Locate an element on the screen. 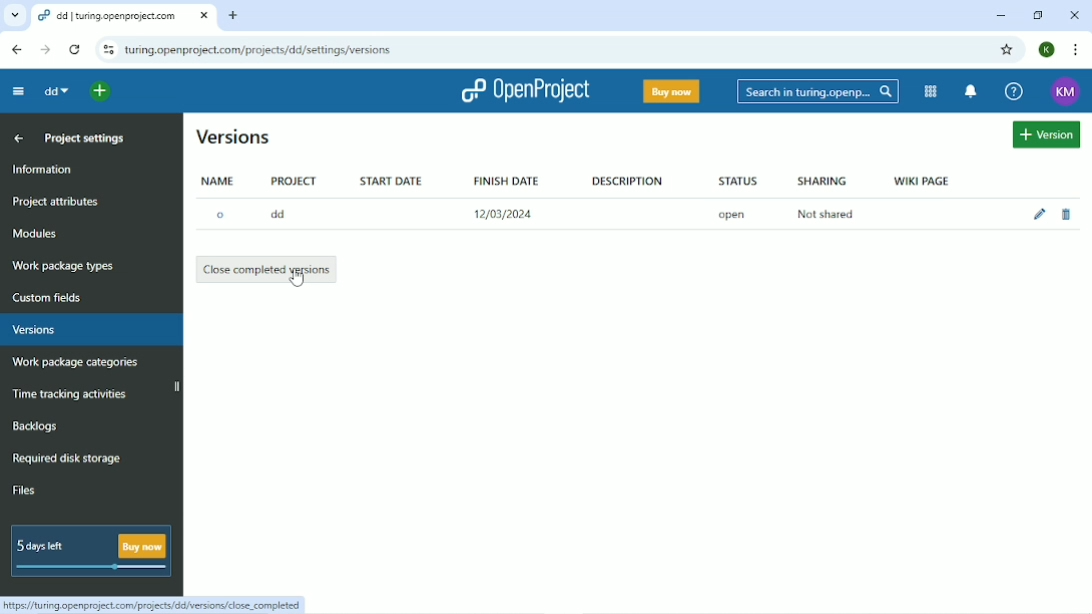 The height and width of the screenshot is (614, 1092). open quick add menu is located at coordinates (100, 90).